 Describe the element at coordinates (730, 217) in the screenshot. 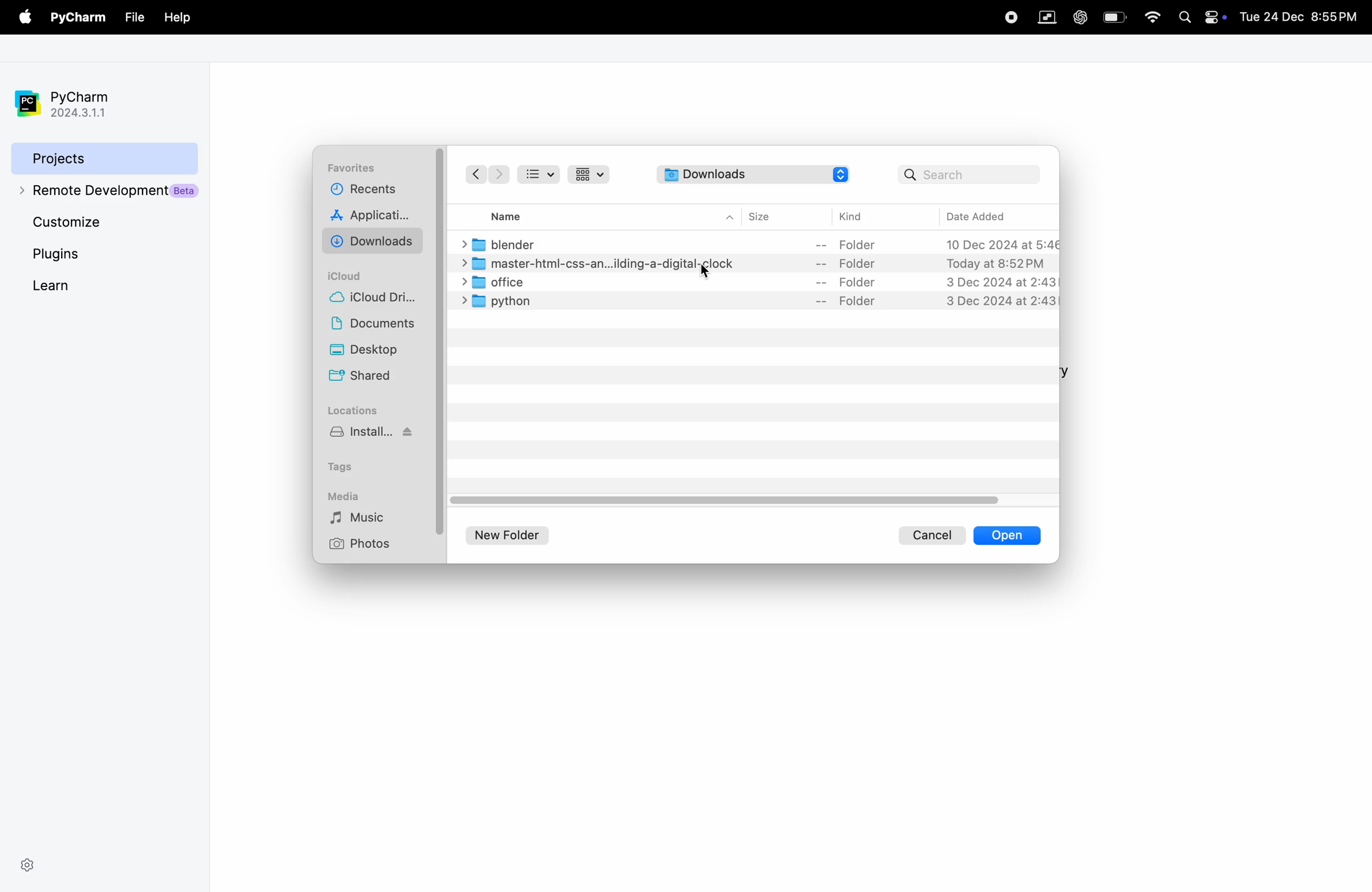

I see `up` at that location.